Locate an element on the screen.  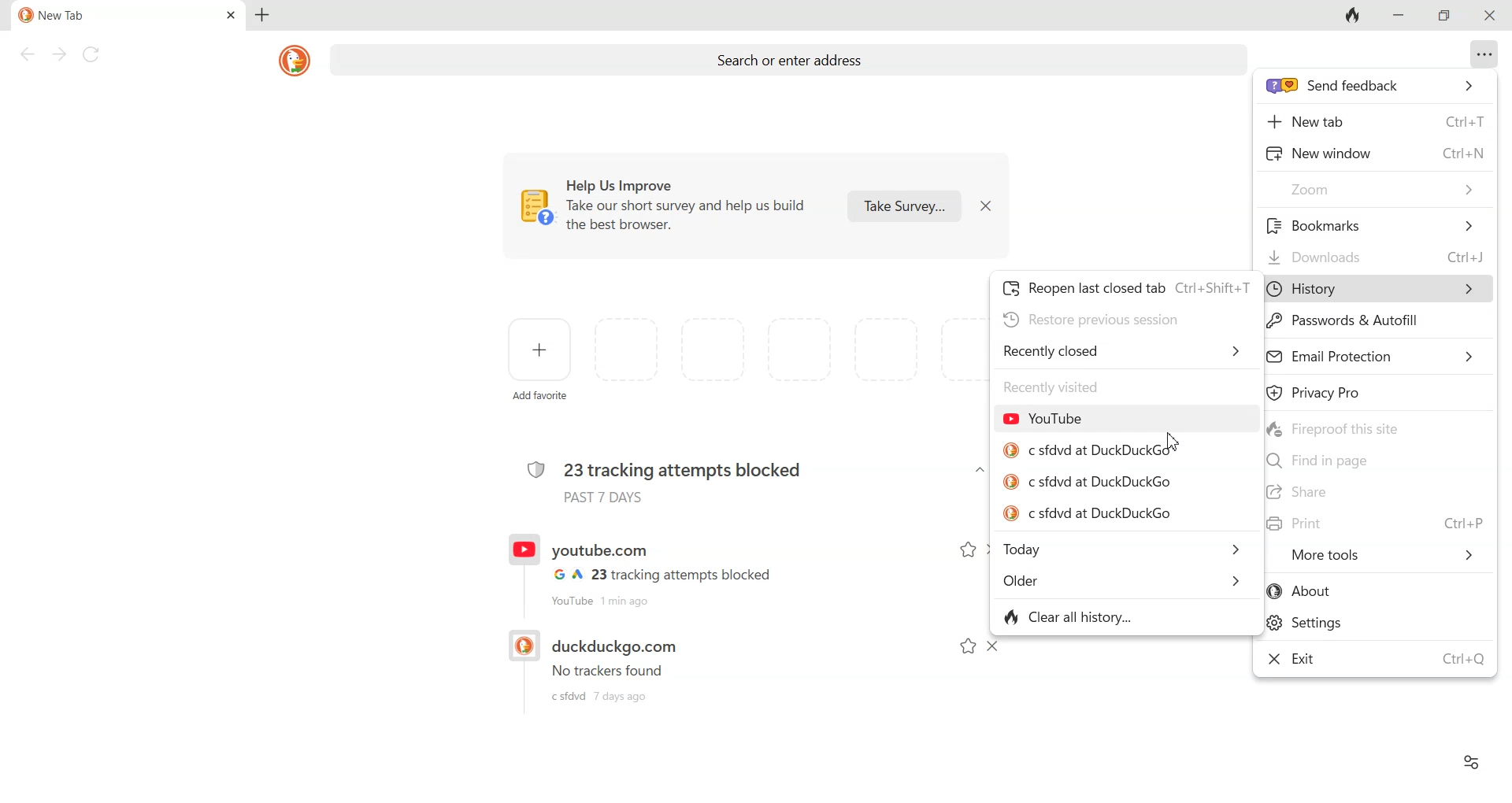
recently visited is located at coordinates (1053, 386).